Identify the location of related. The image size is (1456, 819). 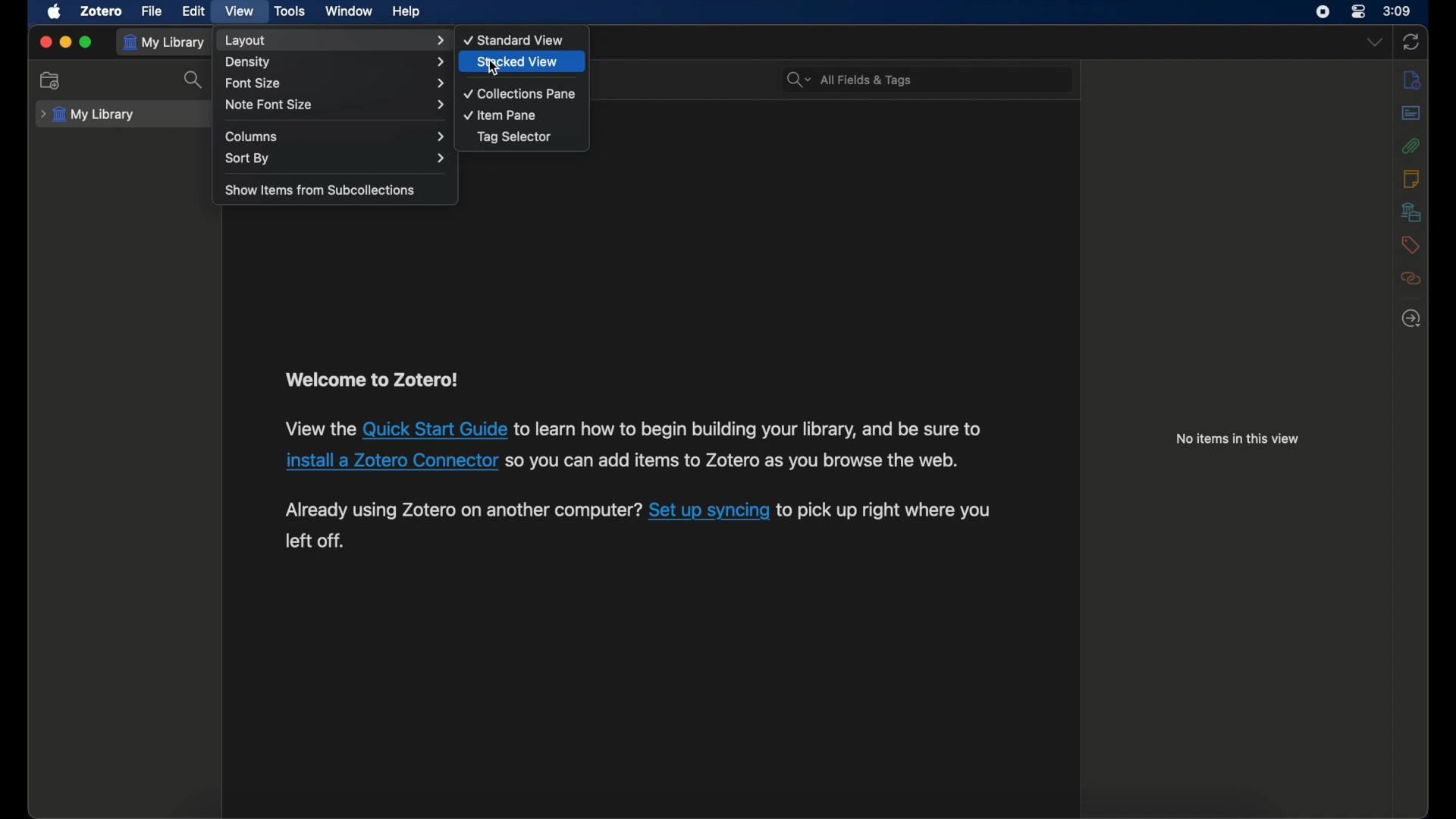
(1411, 278).